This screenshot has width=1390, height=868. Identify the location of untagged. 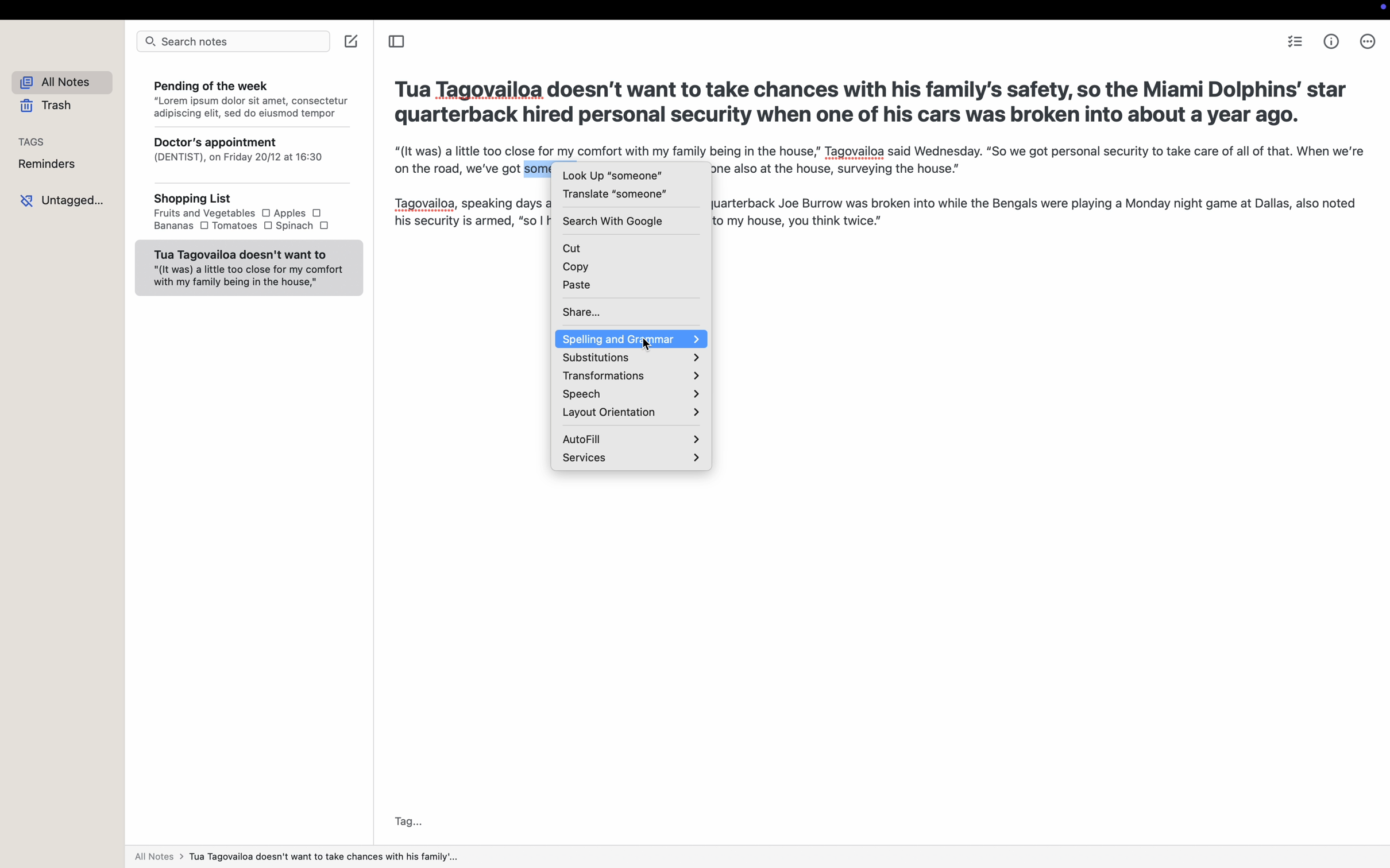
(63, 200).